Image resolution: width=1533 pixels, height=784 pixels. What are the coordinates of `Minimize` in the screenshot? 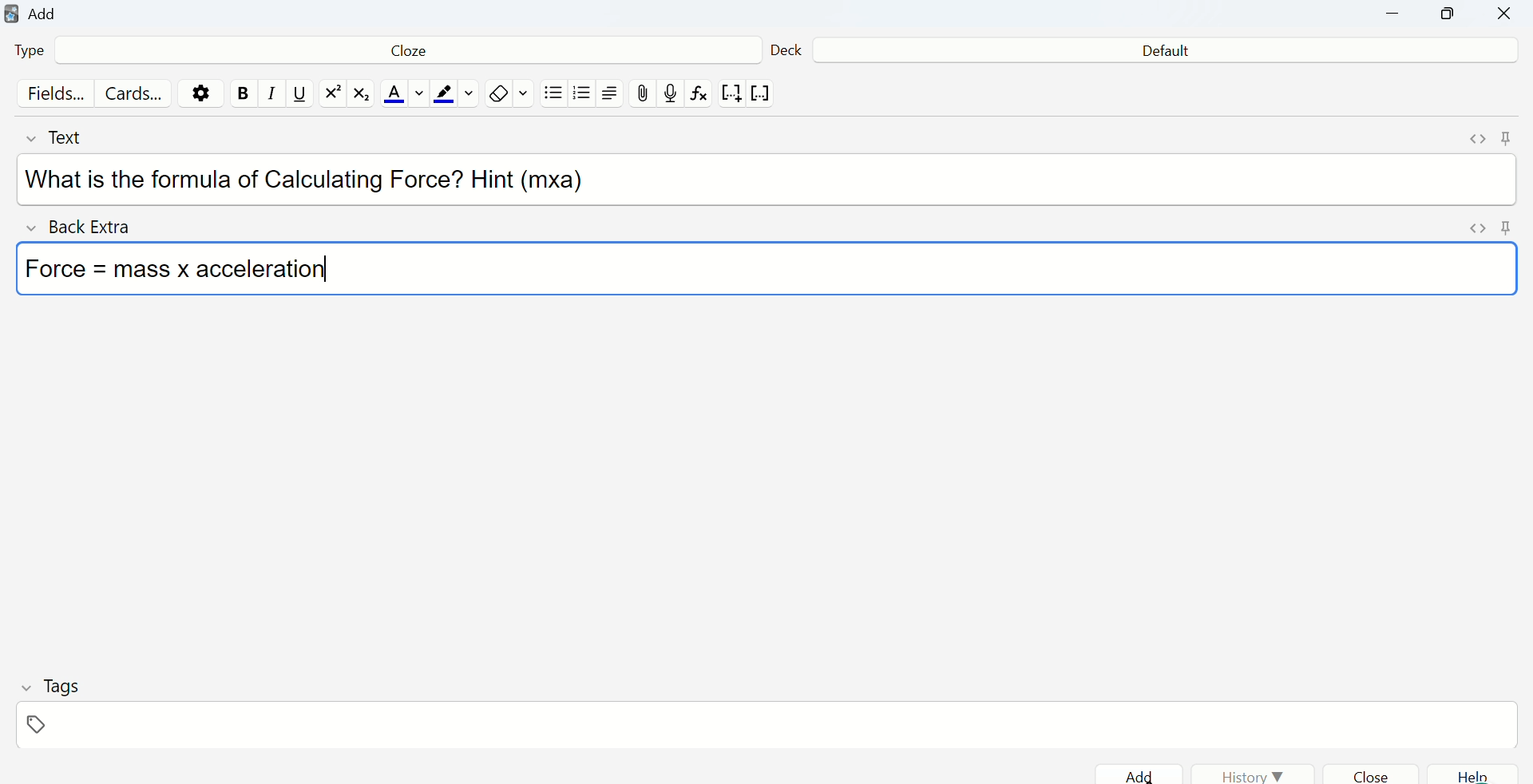 It's located at (1401, 17).